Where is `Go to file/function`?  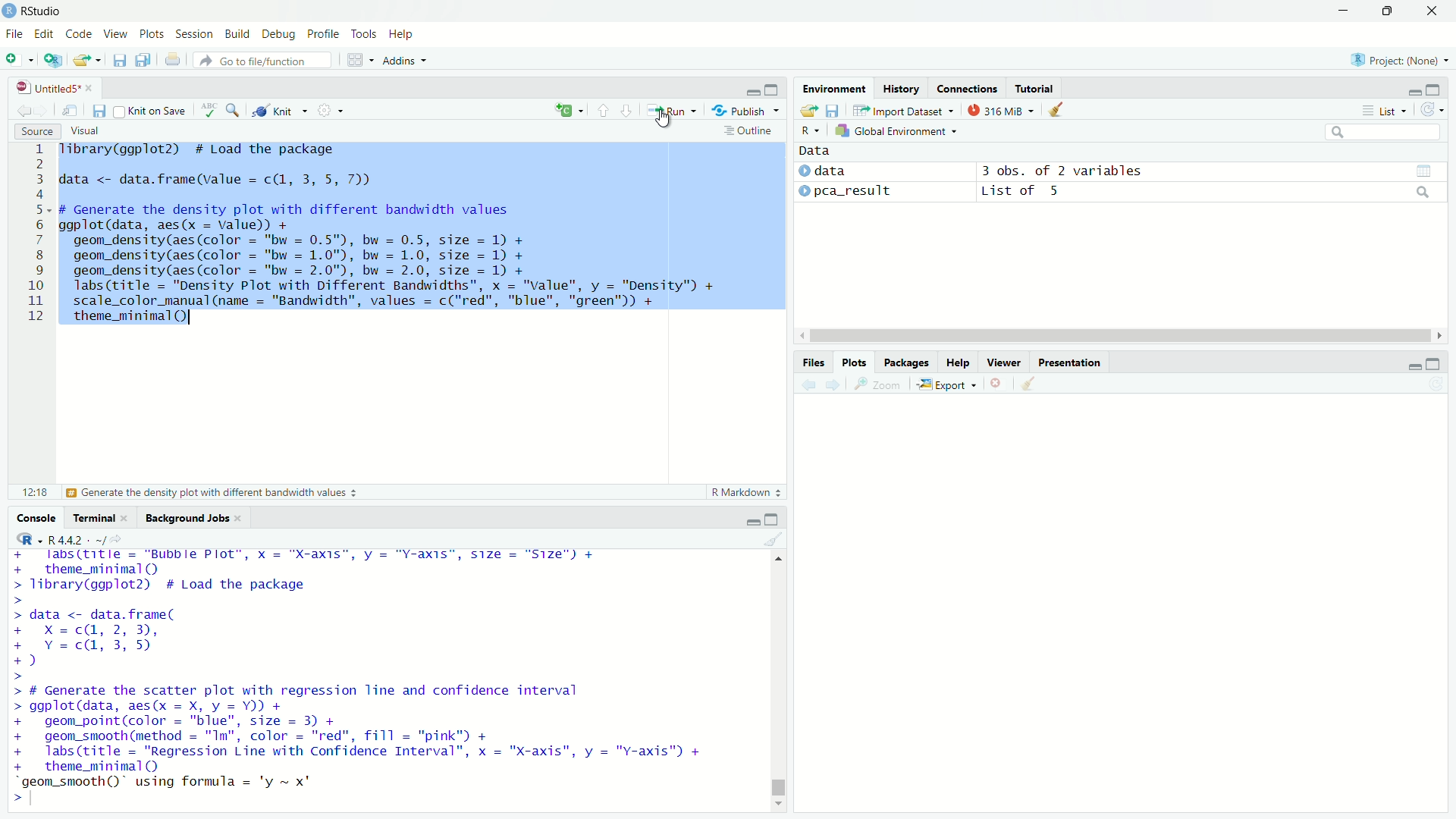
Go to file/function is located at coordinates (262, 61).